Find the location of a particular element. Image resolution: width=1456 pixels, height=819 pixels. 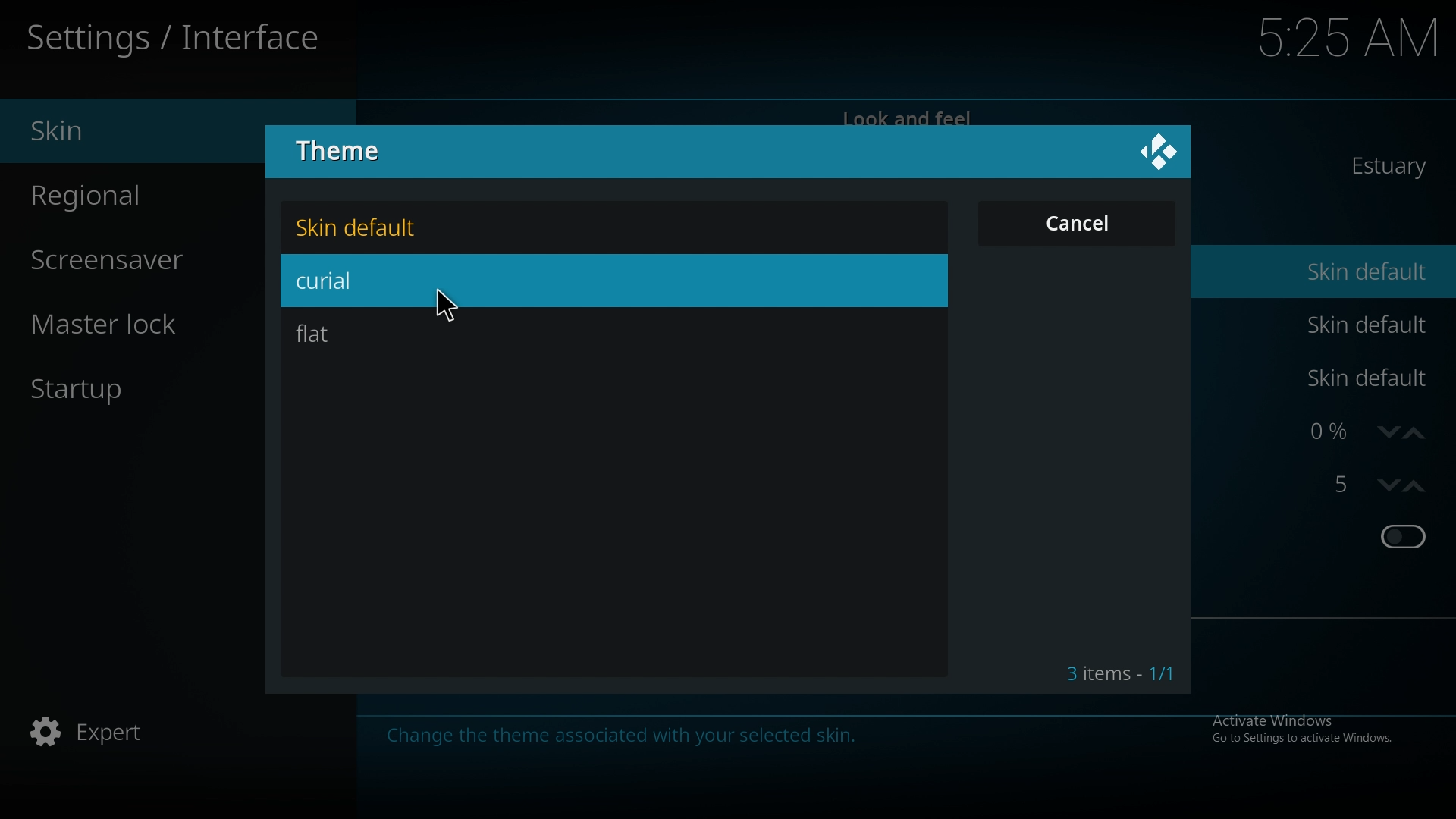

skin default is located at coordinates (1367, 270).